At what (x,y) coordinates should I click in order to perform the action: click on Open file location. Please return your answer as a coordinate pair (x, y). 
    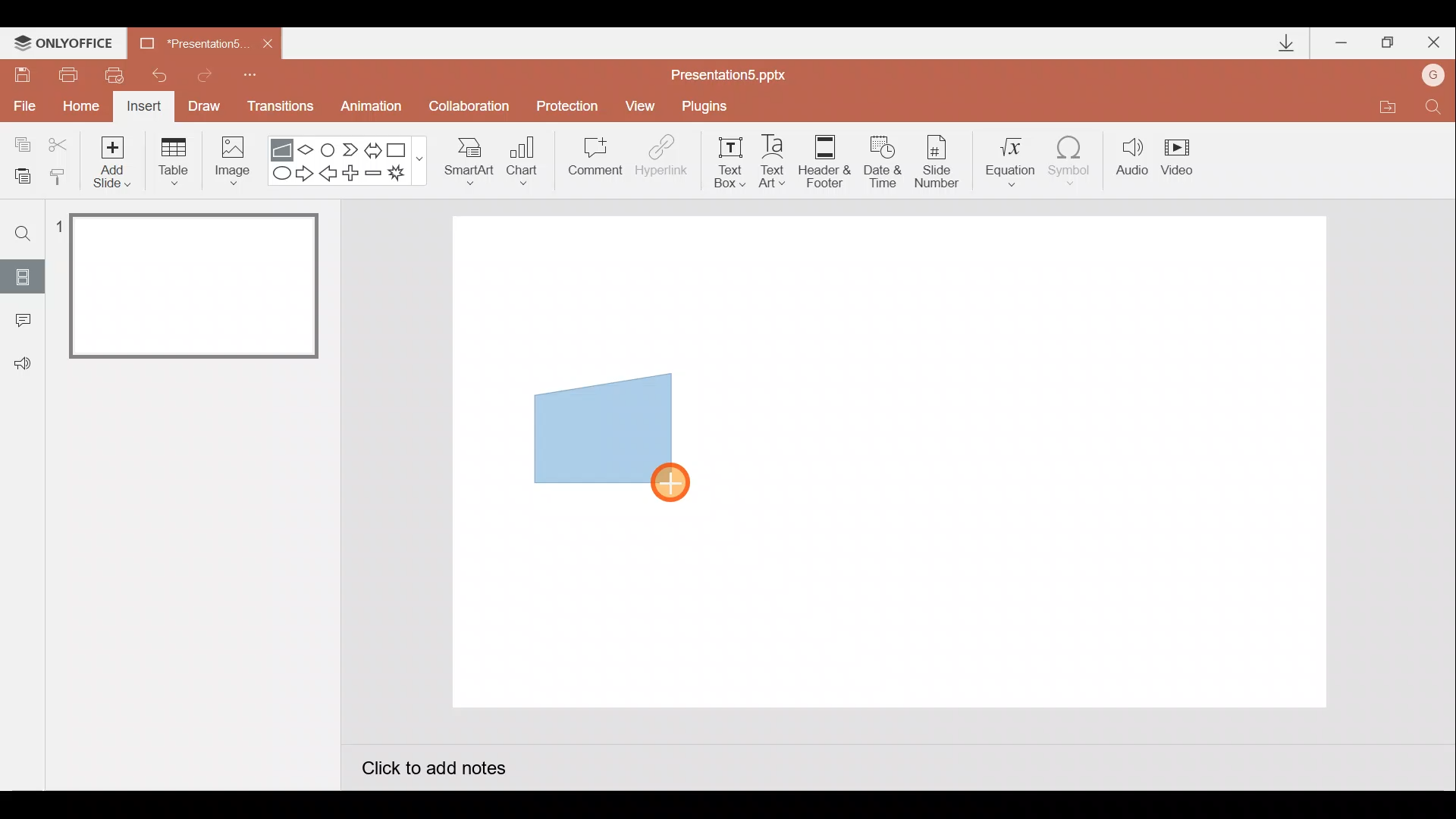
    Looking at the image, I should click on (1387, 109).